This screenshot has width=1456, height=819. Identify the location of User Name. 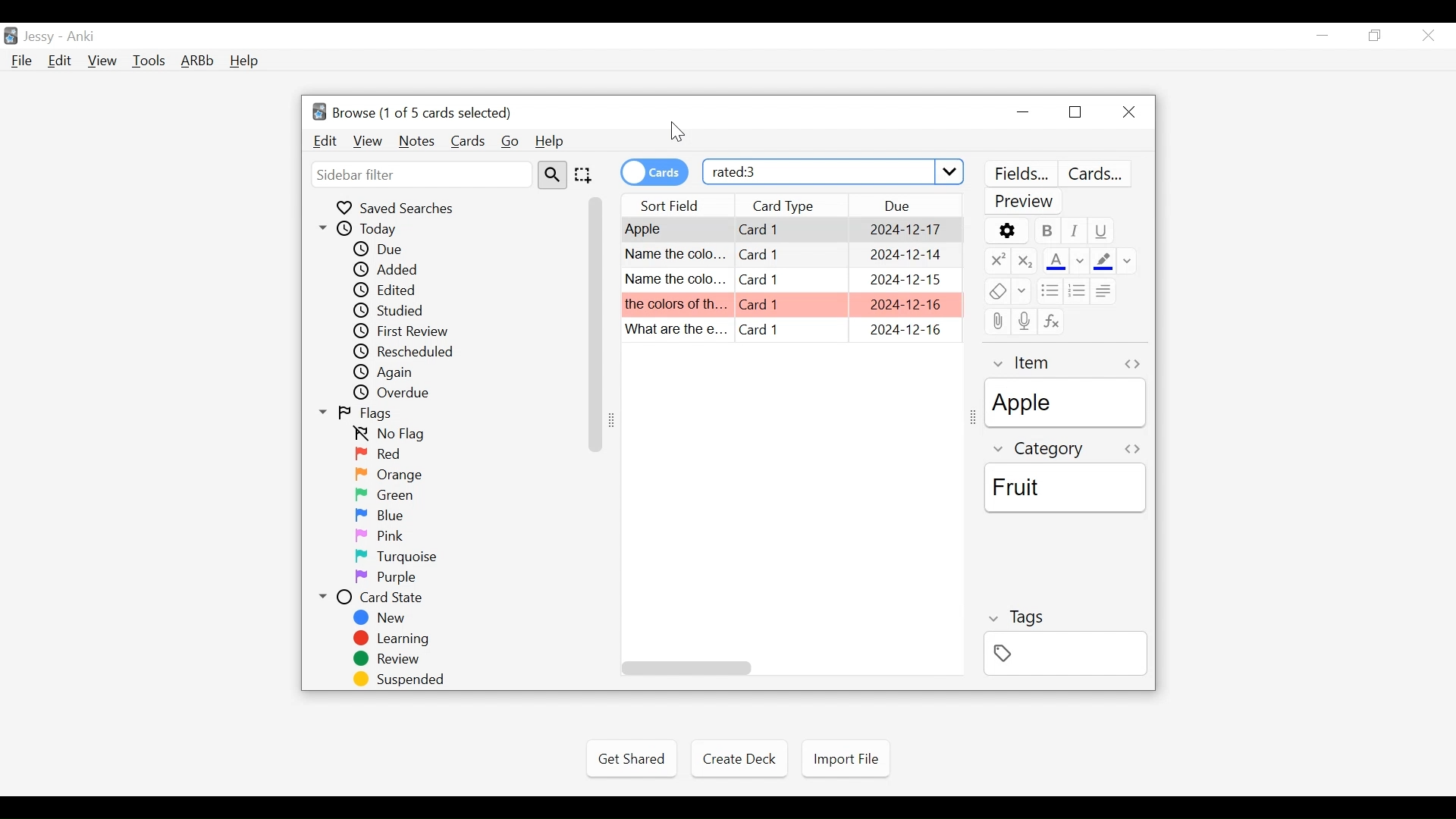
(39, 37).